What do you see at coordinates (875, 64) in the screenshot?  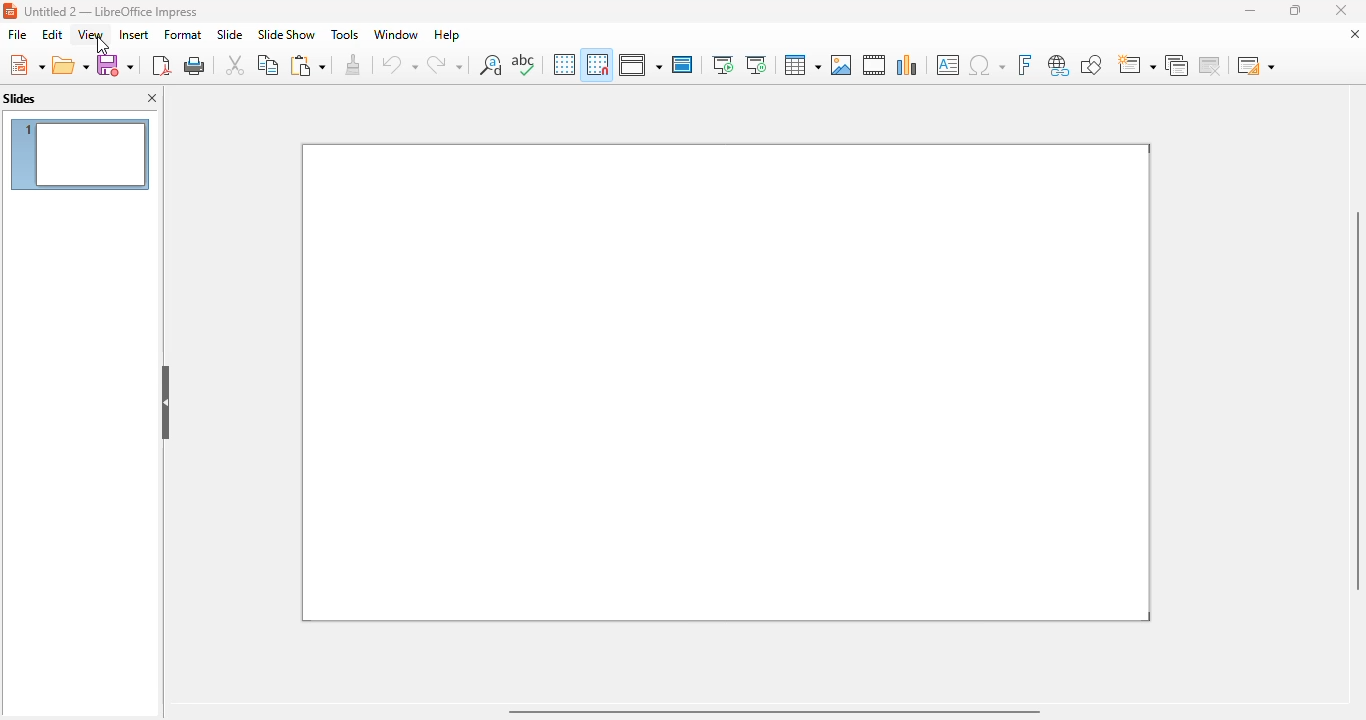 I see `insert audio or video` at bounding box center [875, 64].